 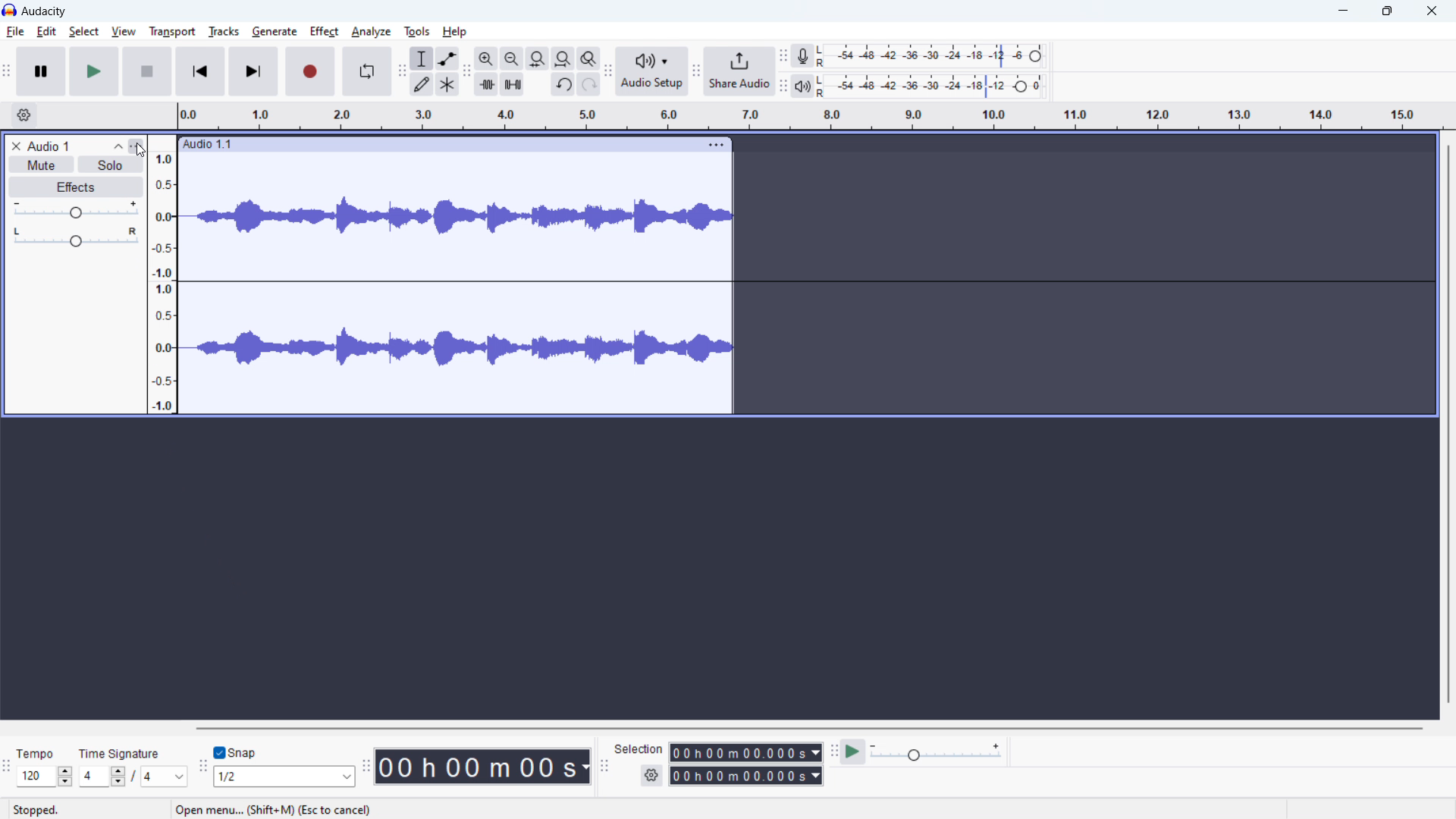 I want to click on tracks, so click(x=224, y=32).